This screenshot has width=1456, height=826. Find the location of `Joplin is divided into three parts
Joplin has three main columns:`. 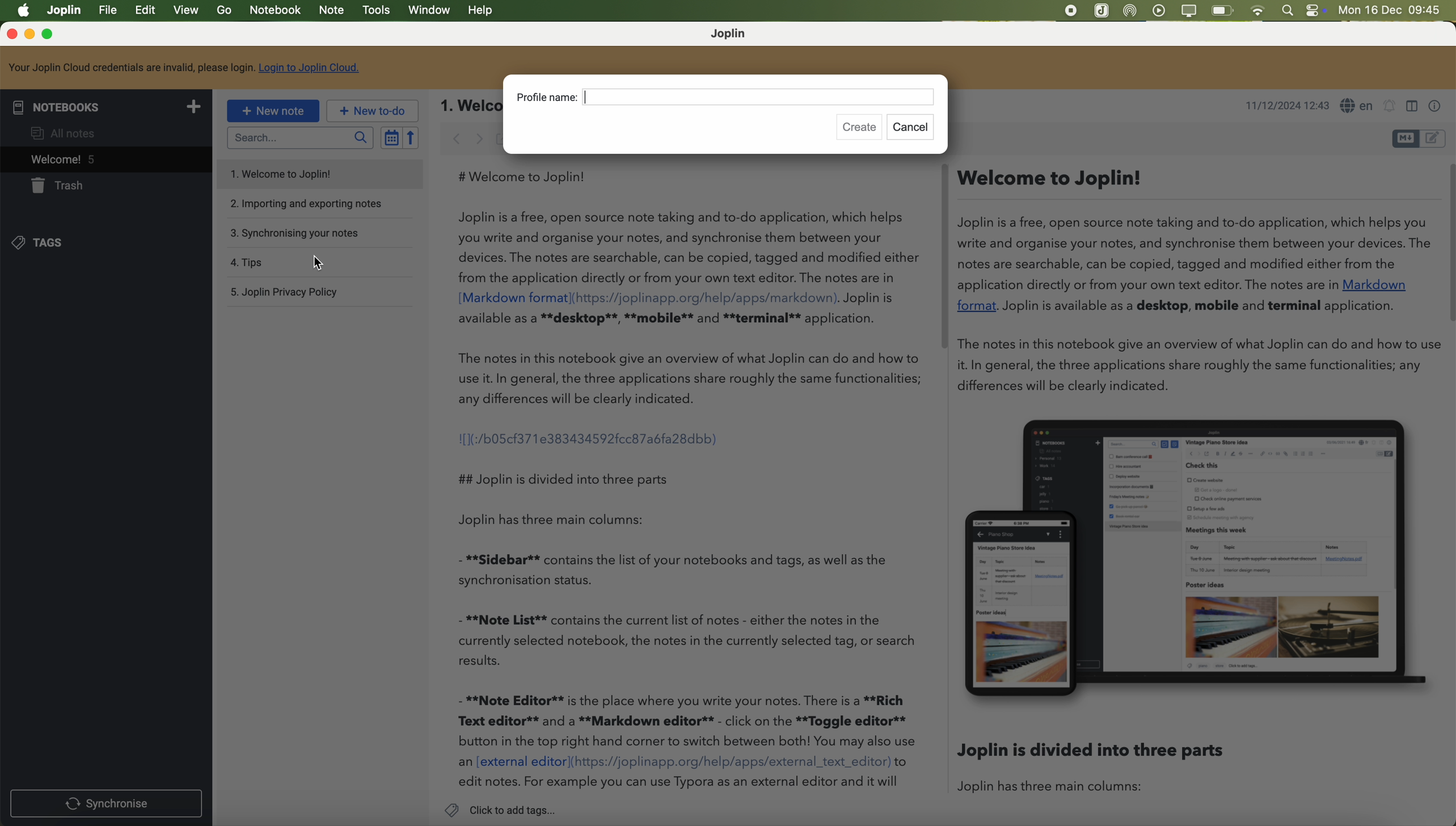

Joplin is divided into three parts
Joplin has three main columns: is located at coordinates (1100, 772).